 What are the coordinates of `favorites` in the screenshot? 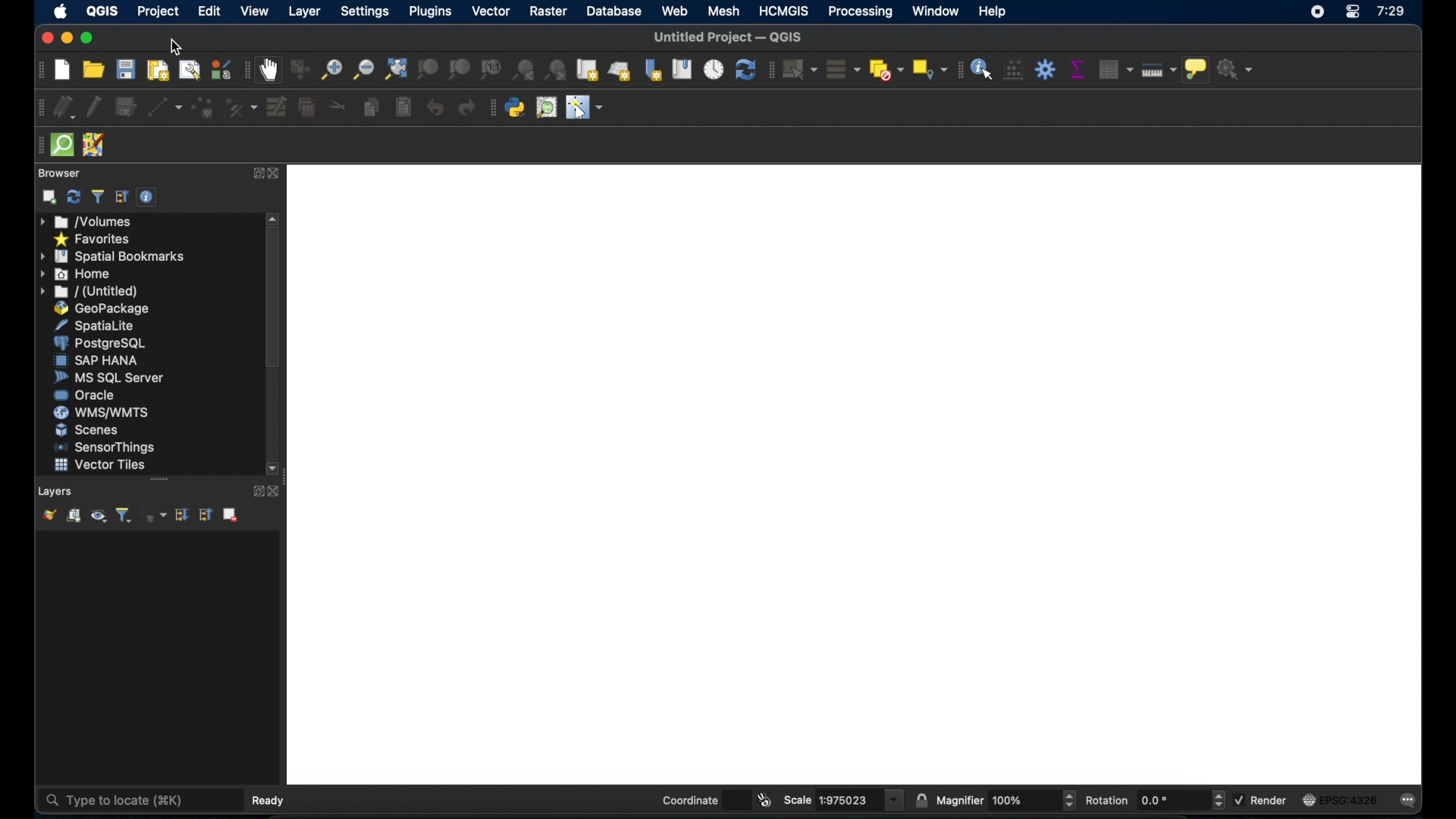 It's located at (93, 239).